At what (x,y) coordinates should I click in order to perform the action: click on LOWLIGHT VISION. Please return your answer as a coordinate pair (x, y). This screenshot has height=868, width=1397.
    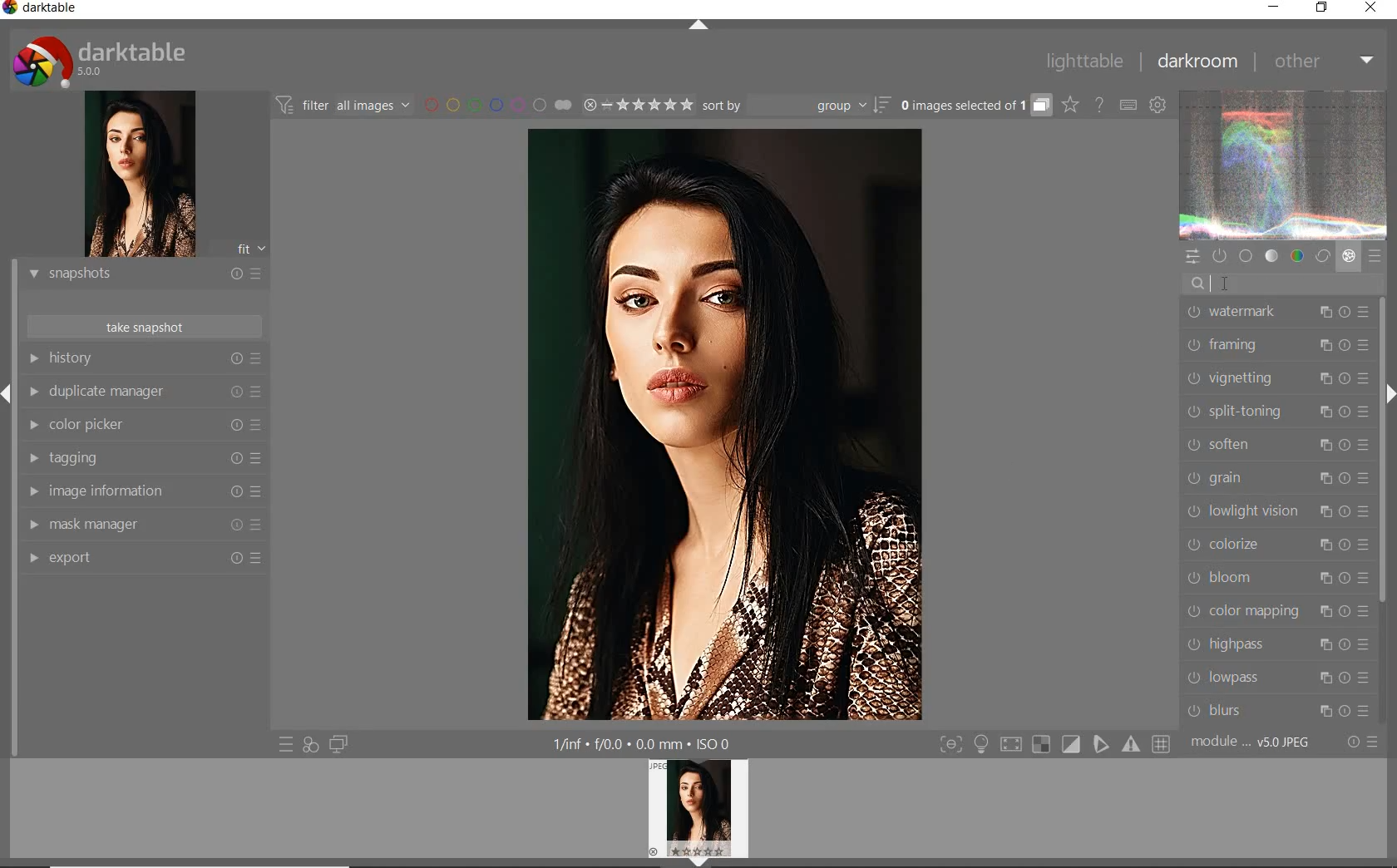
    Looking at the image, I should click on (1273, 511).